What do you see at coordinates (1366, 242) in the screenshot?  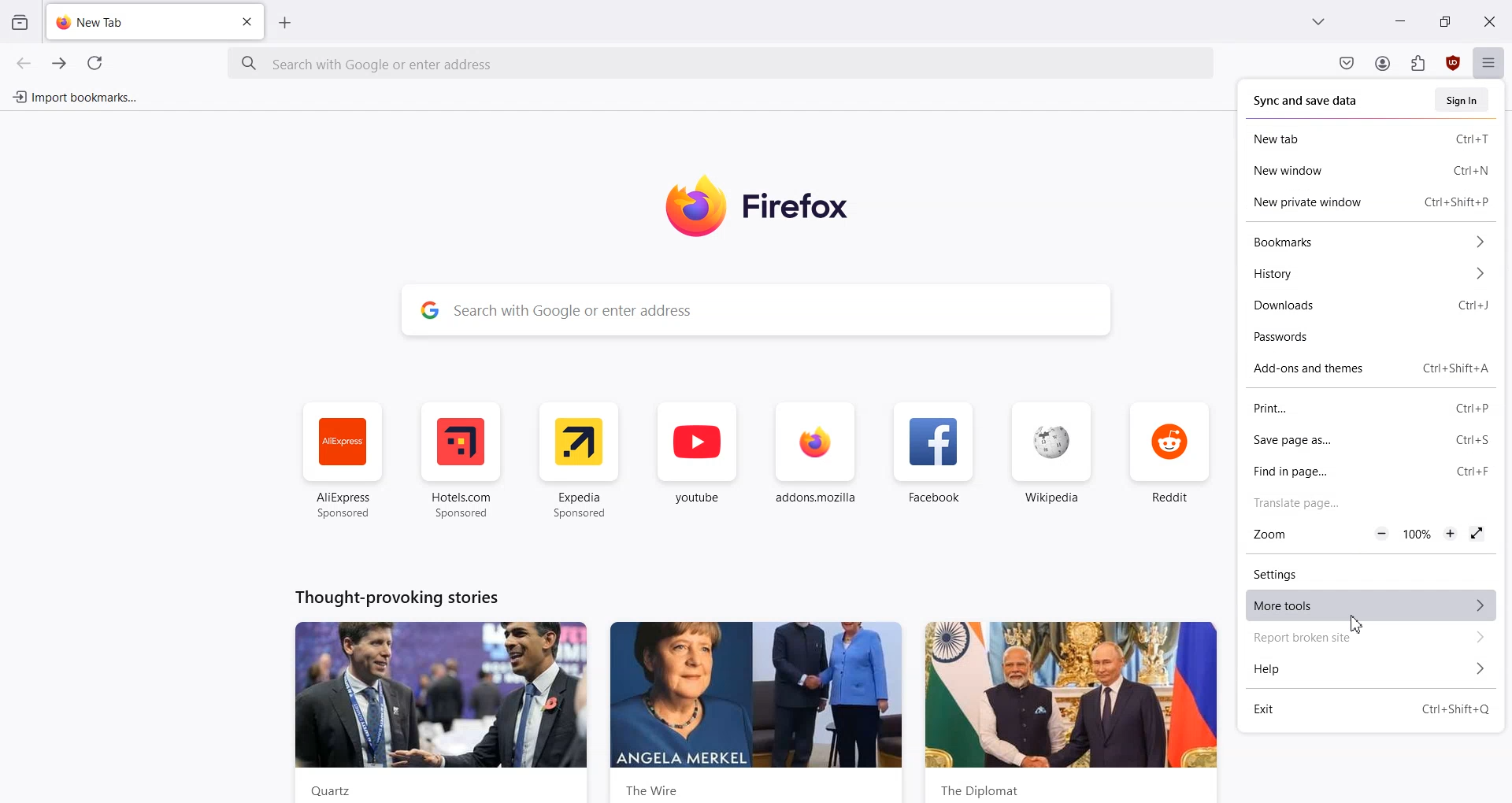 I see `Bookmarks` at bounding box center [1366, 242].